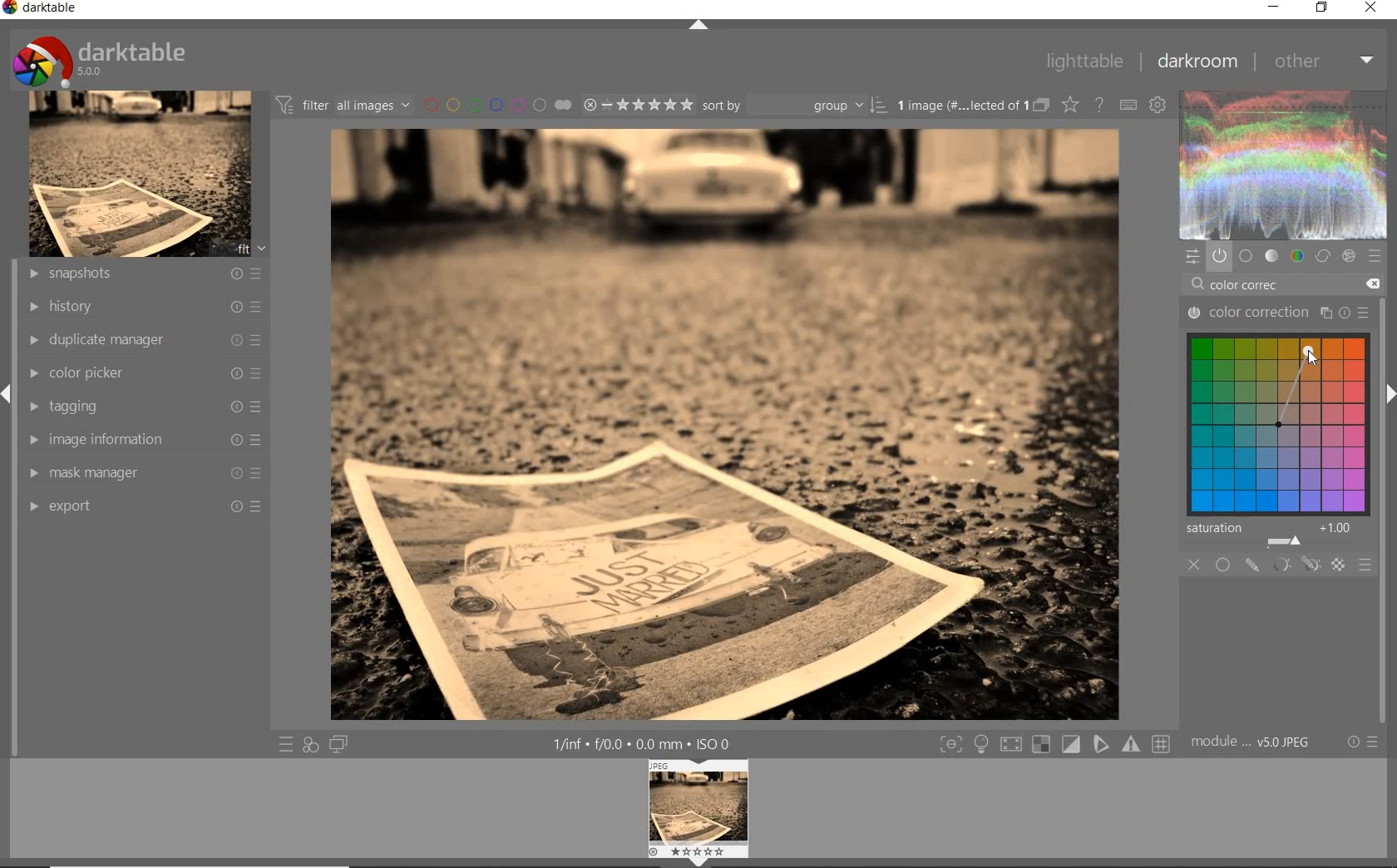 The image size is (1397, 868). What do you see at coordinates (8, 395) in the screenshot?
I see `expand/collapse` at bounding box center [8, 395].